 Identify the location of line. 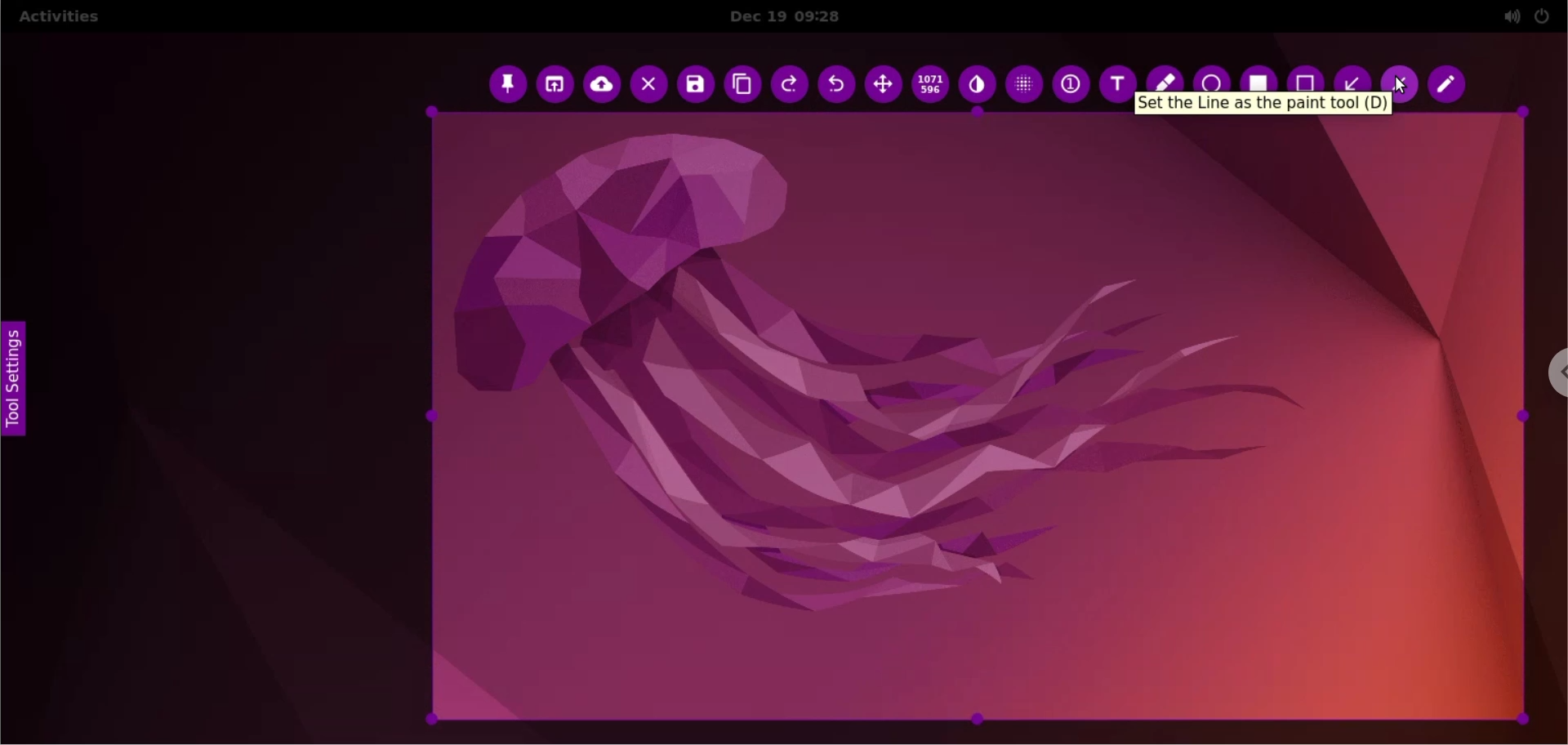
(1397, 85).